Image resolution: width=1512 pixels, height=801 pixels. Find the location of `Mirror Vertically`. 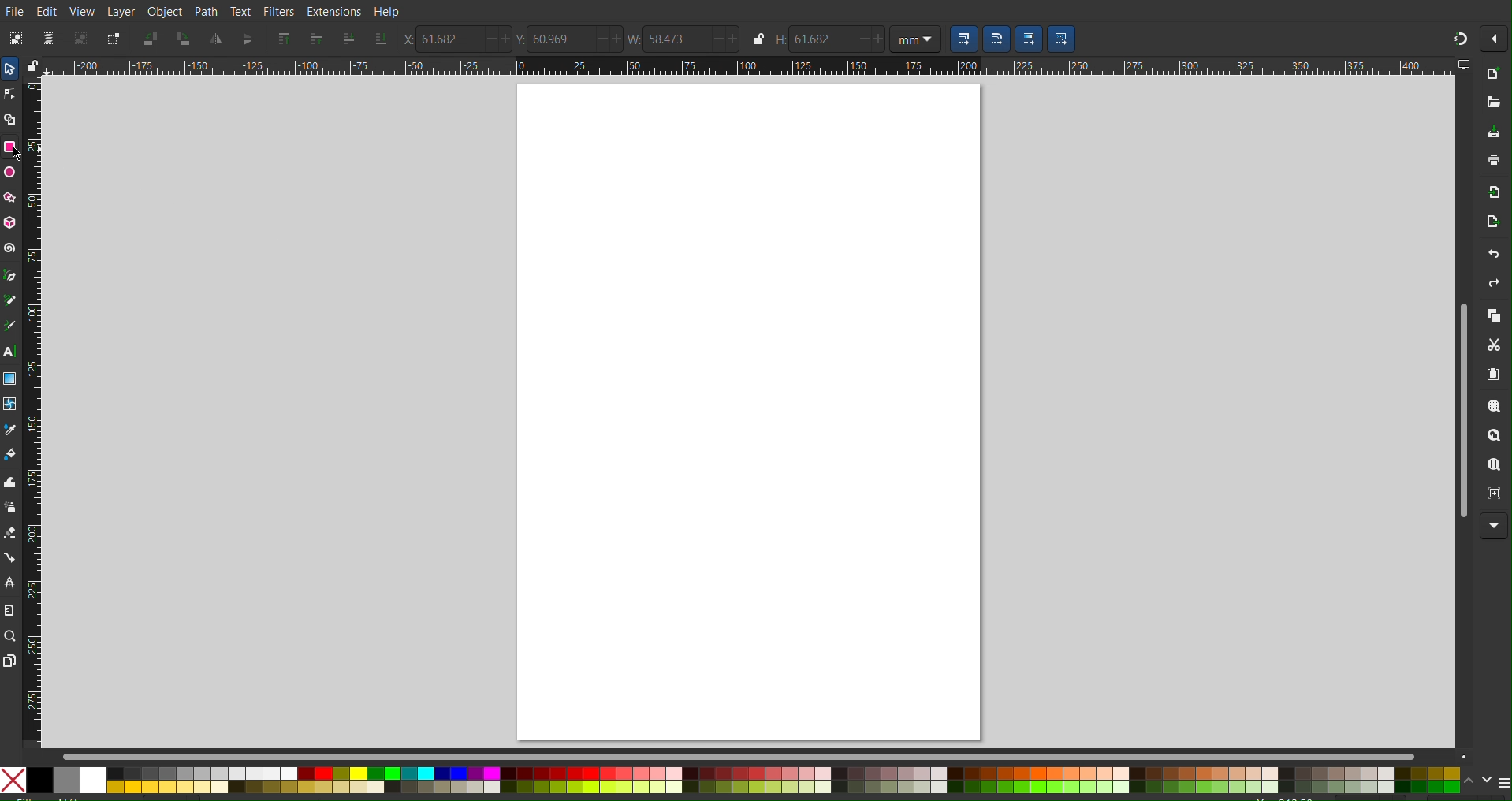

Mirror Vertically is located at coordinates (215, 41).